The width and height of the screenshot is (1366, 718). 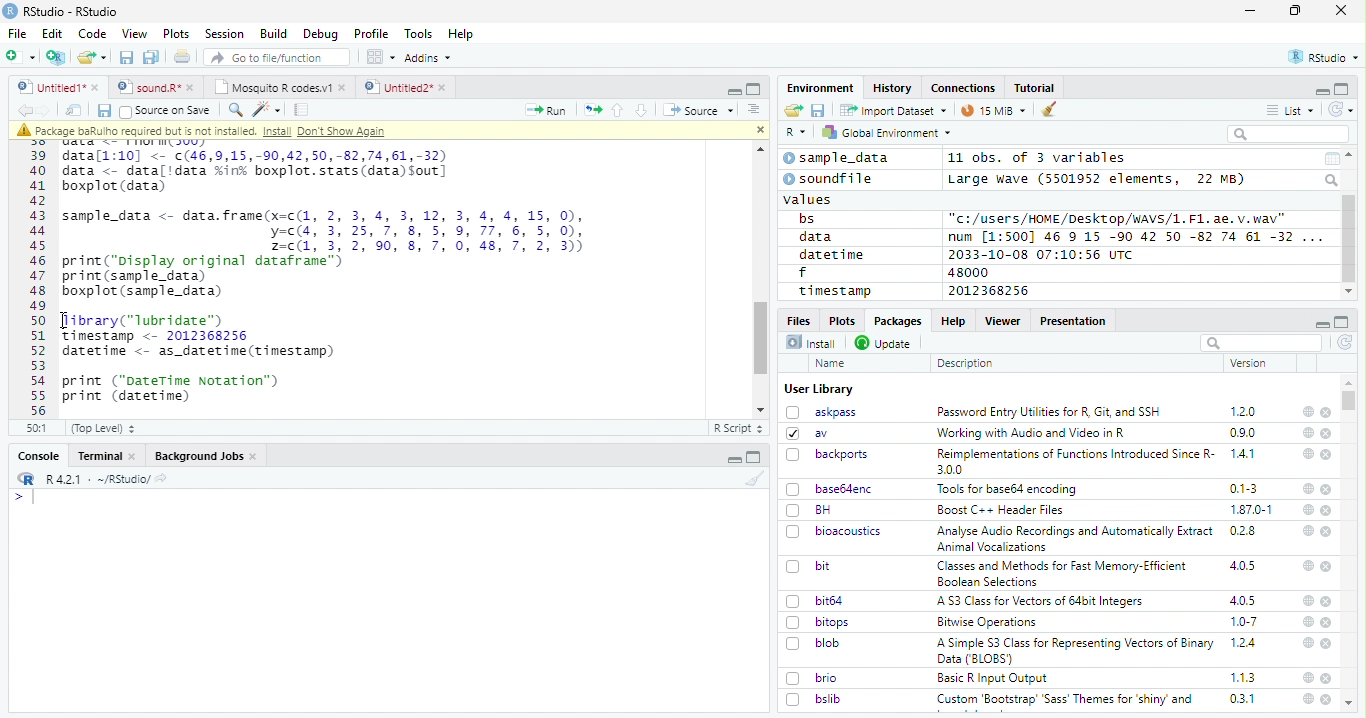 I want to click on Workspace panes, so click(x=381, y=57).